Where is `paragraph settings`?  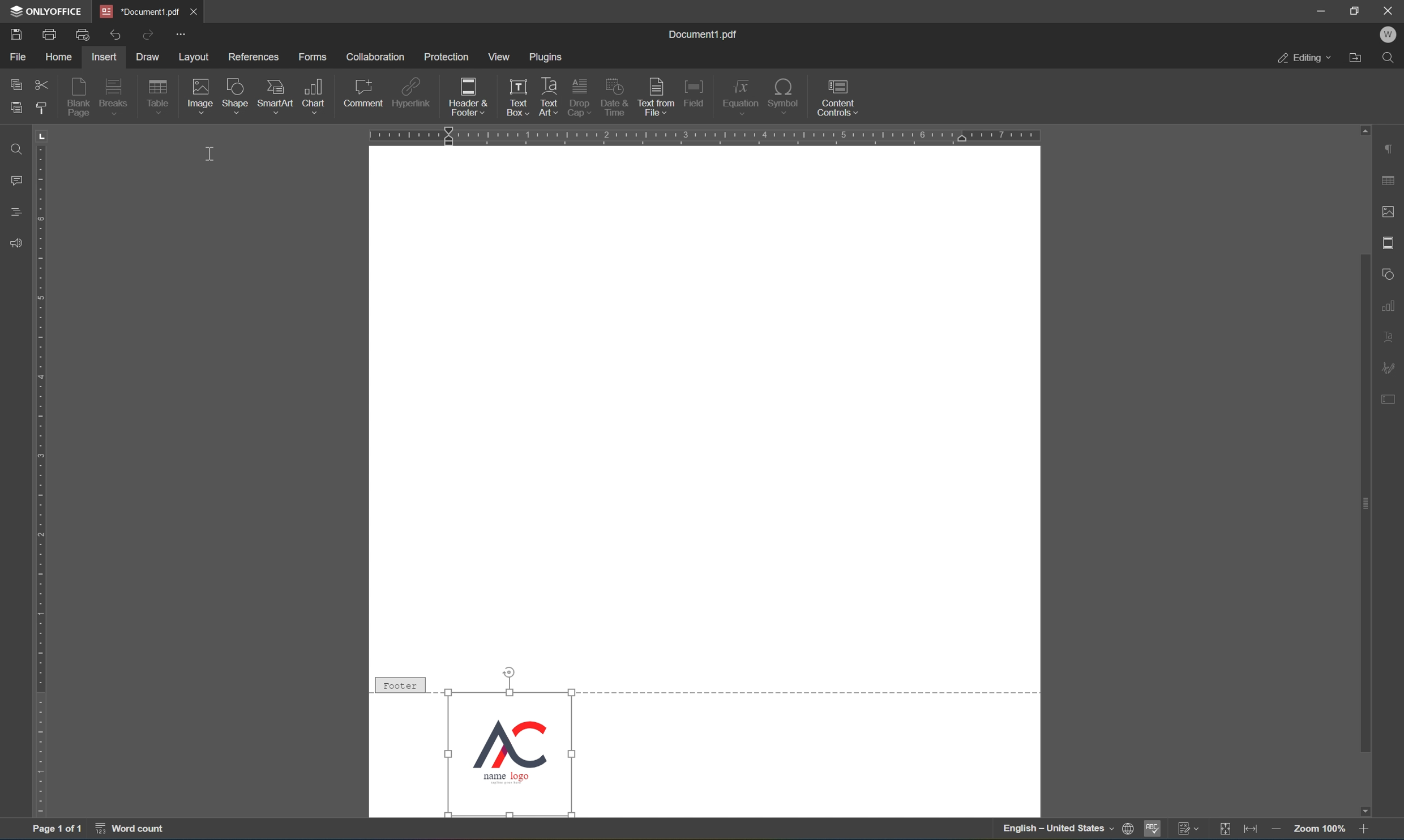 paragraph settings is located at coordinates (1392, 149).